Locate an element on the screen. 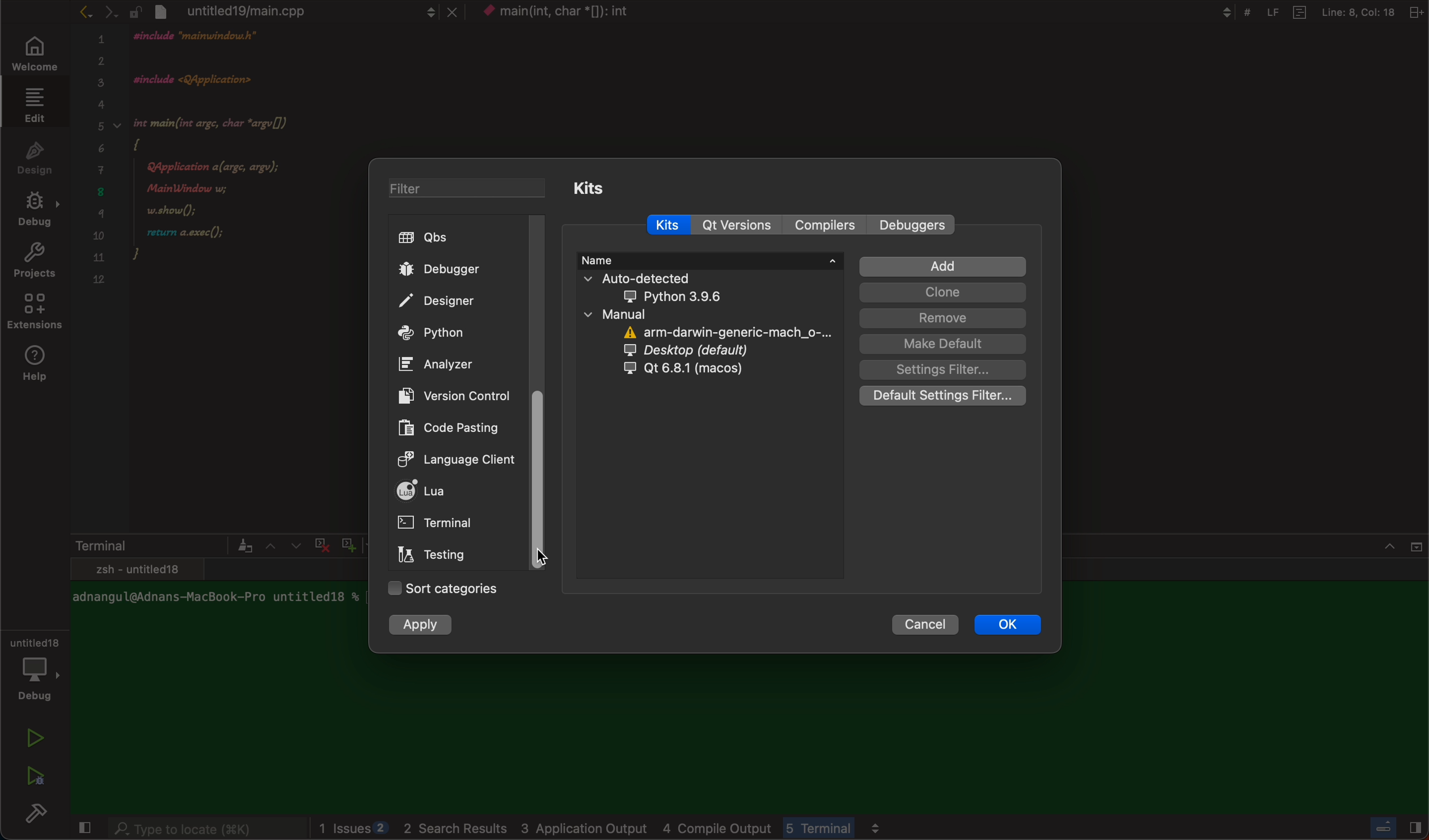 The width and height of the screenshot is (1429, 840). code pasting is located at coordinates (441, 427).